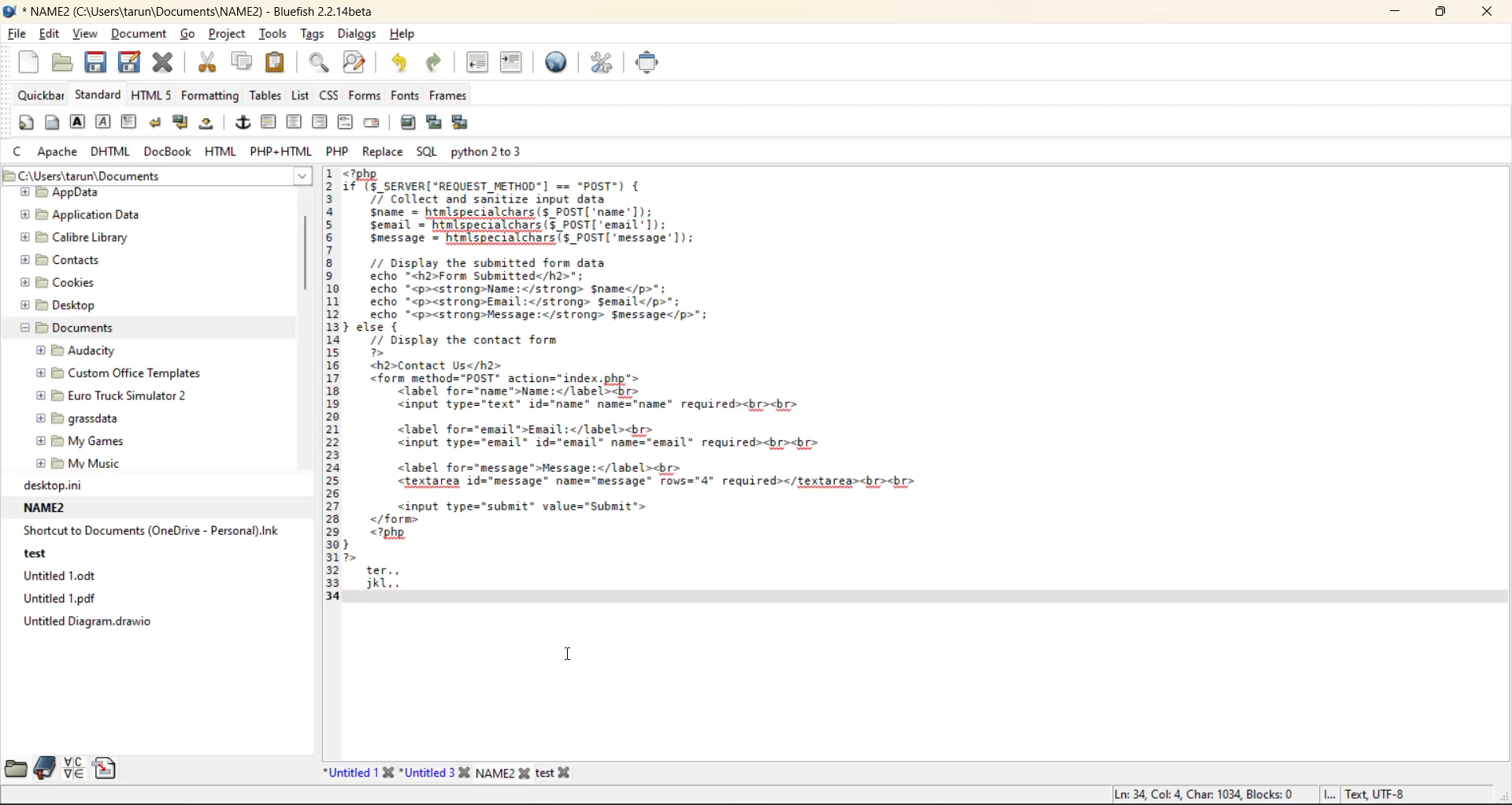  Describe the element at coordinates (296, 124) in the screenshot. I see `center` at that location.